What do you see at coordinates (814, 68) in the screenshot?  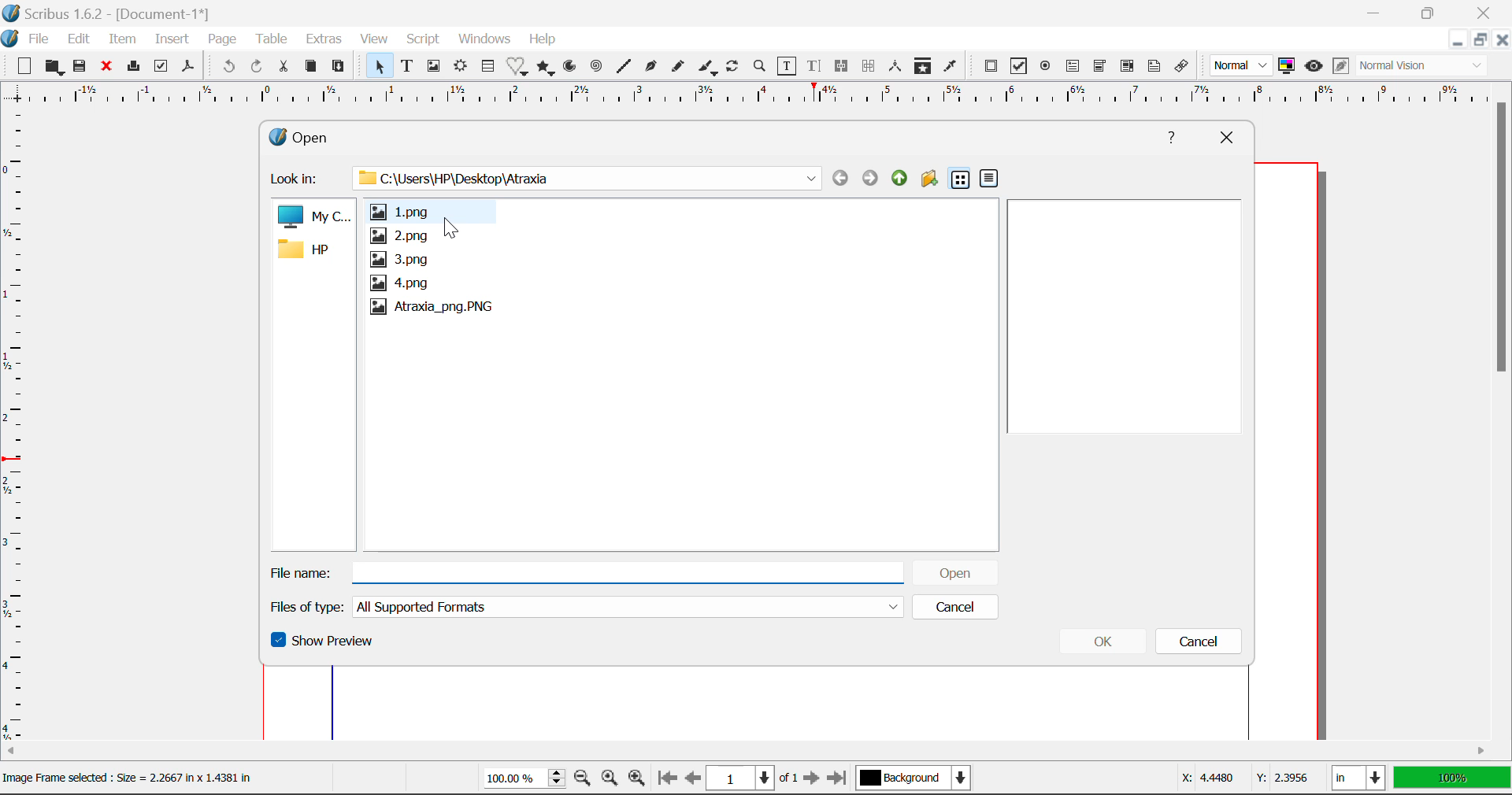 I see `Edit Text in Story Editor` at bounding box center [814, 68].